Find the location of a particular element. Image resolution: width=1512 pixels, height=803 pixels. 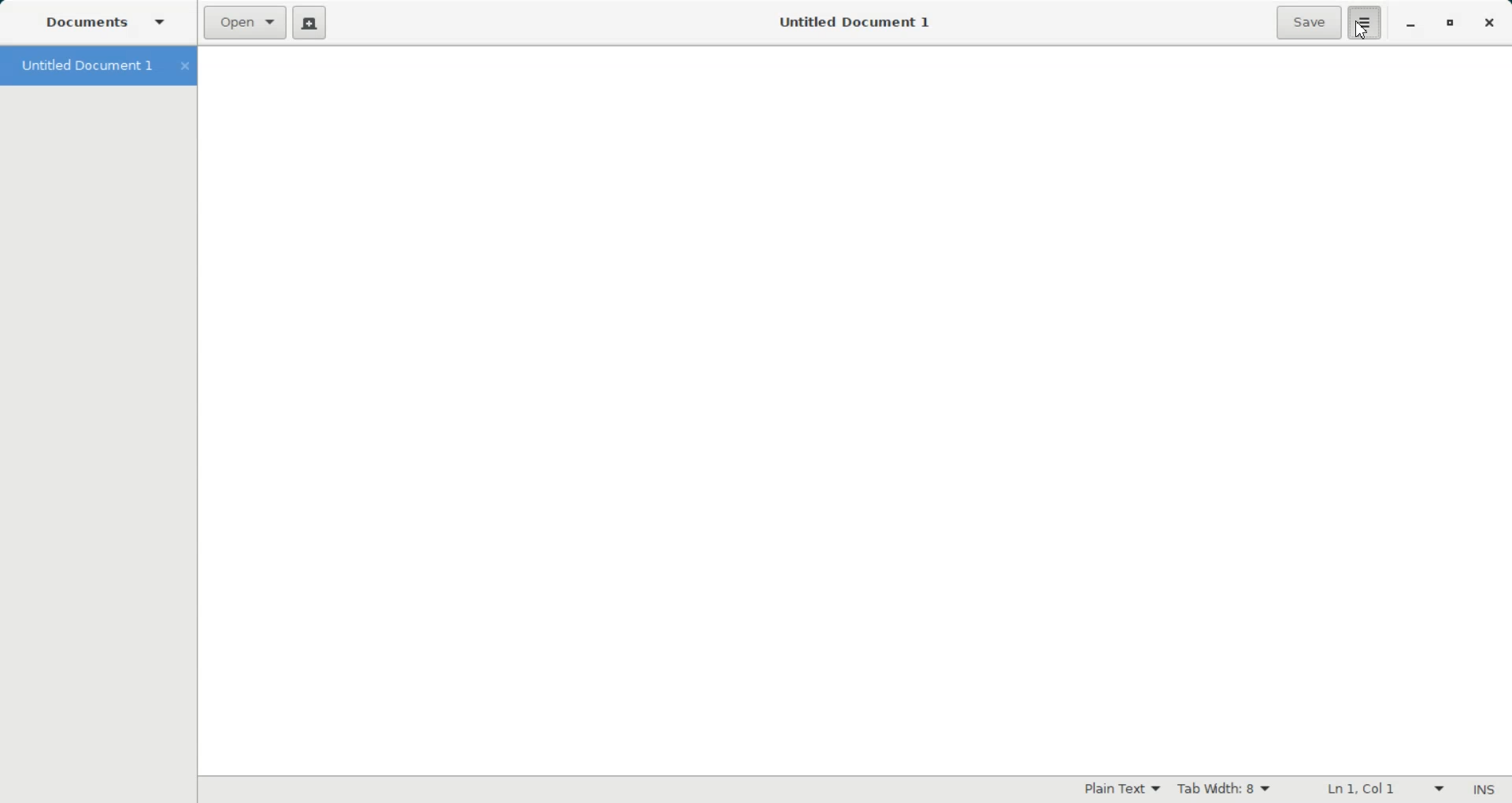

Highlighting Mode is located at coordinates (1122, 790).